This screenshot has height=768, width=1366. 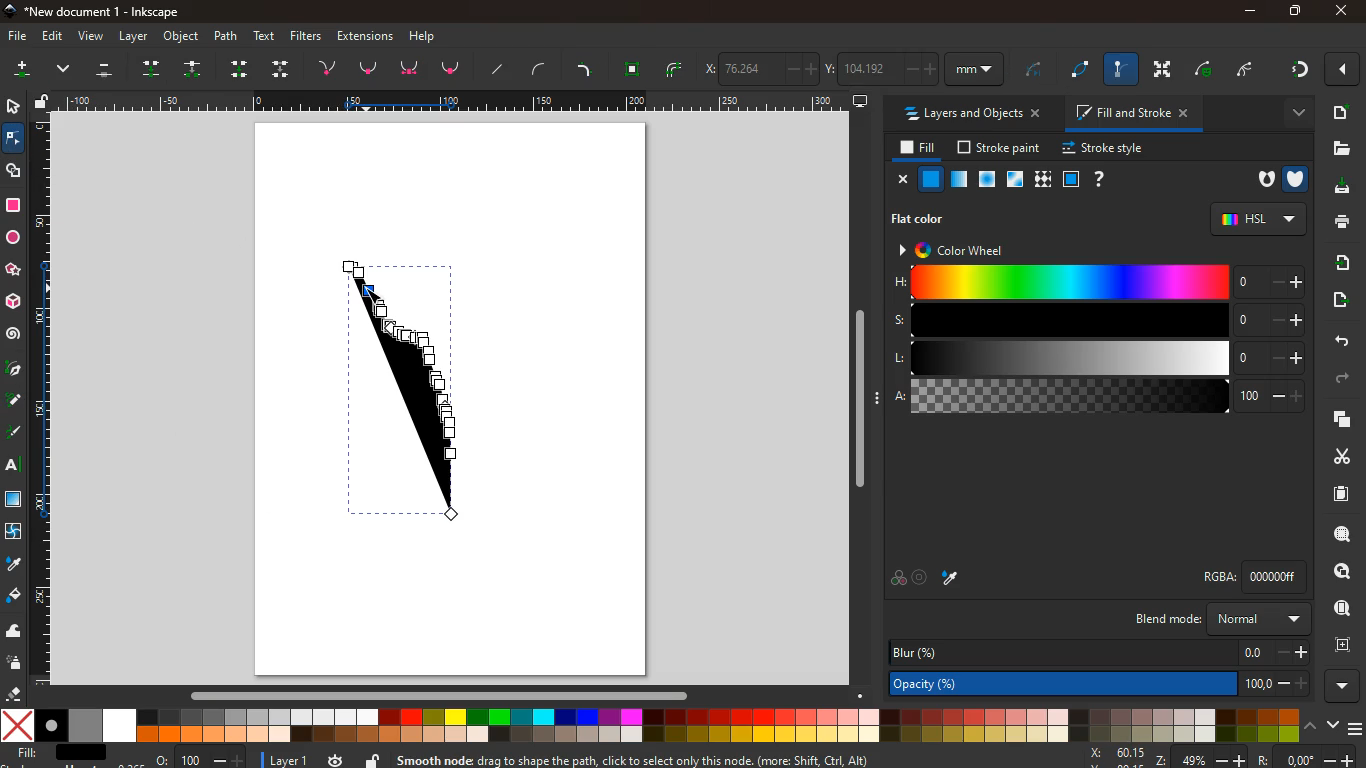 I want to click on use, so click(x=1343, y=609).